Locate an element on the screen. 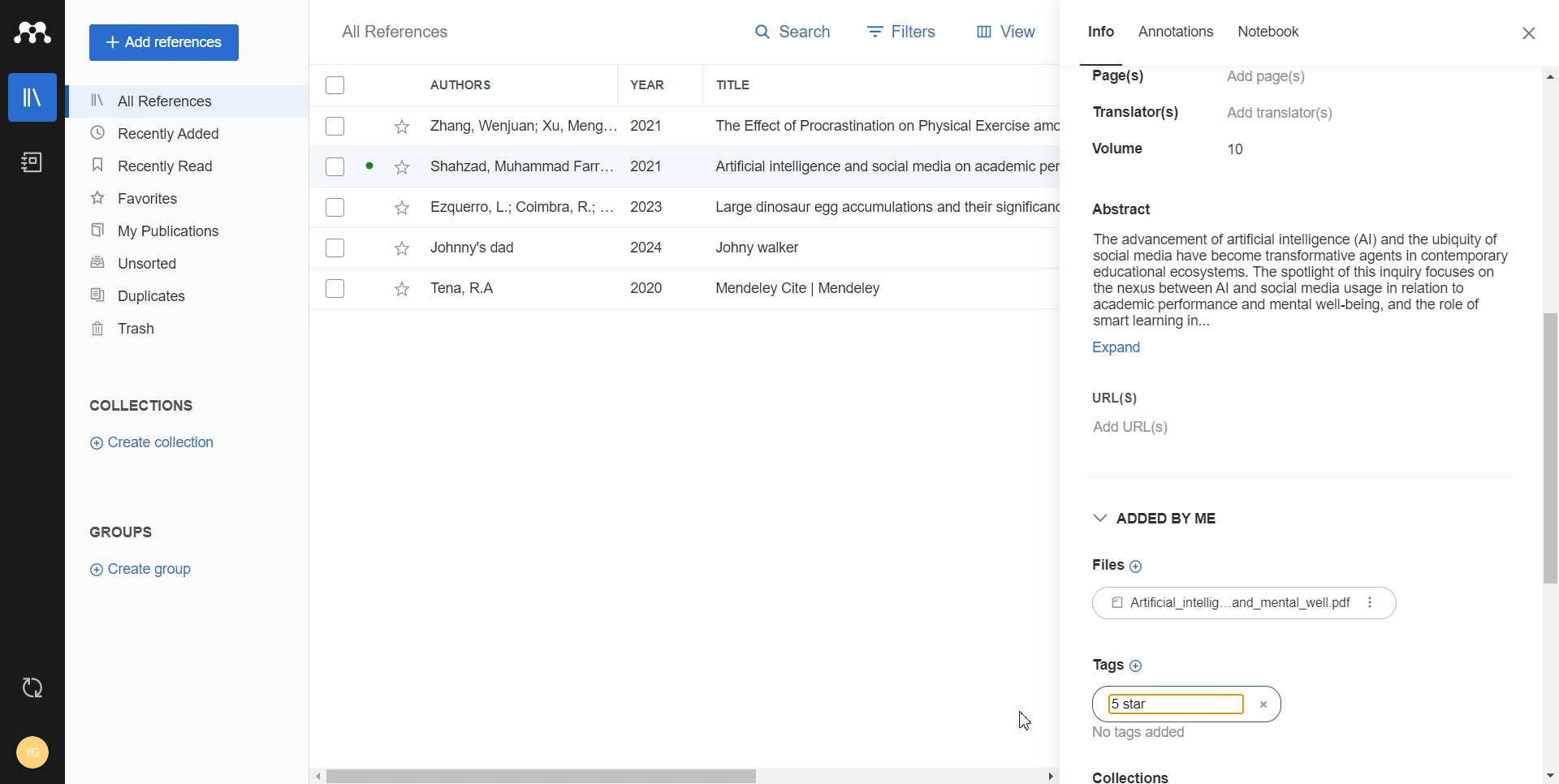 The width and height of the screenshot is (1559, 784). Library is located at coordinates (33, 97).